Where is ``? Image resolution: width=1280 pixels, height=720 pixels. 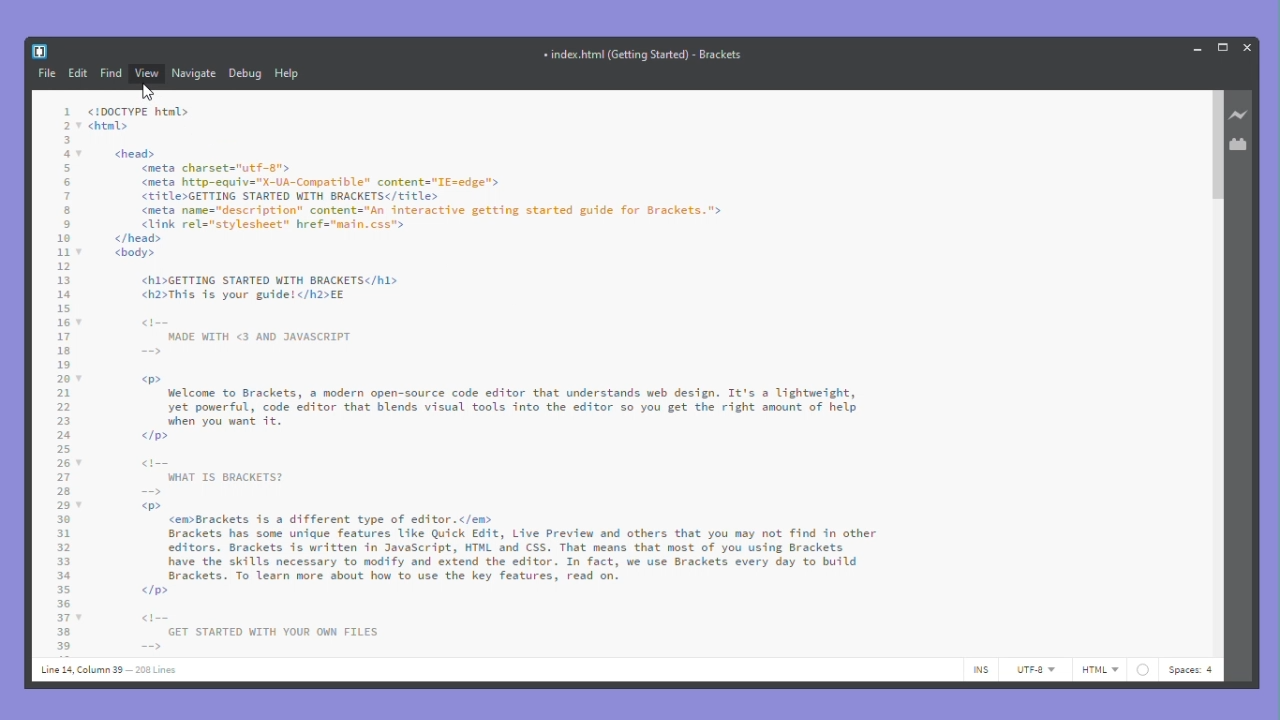  is located at coordinates (1198, 48).